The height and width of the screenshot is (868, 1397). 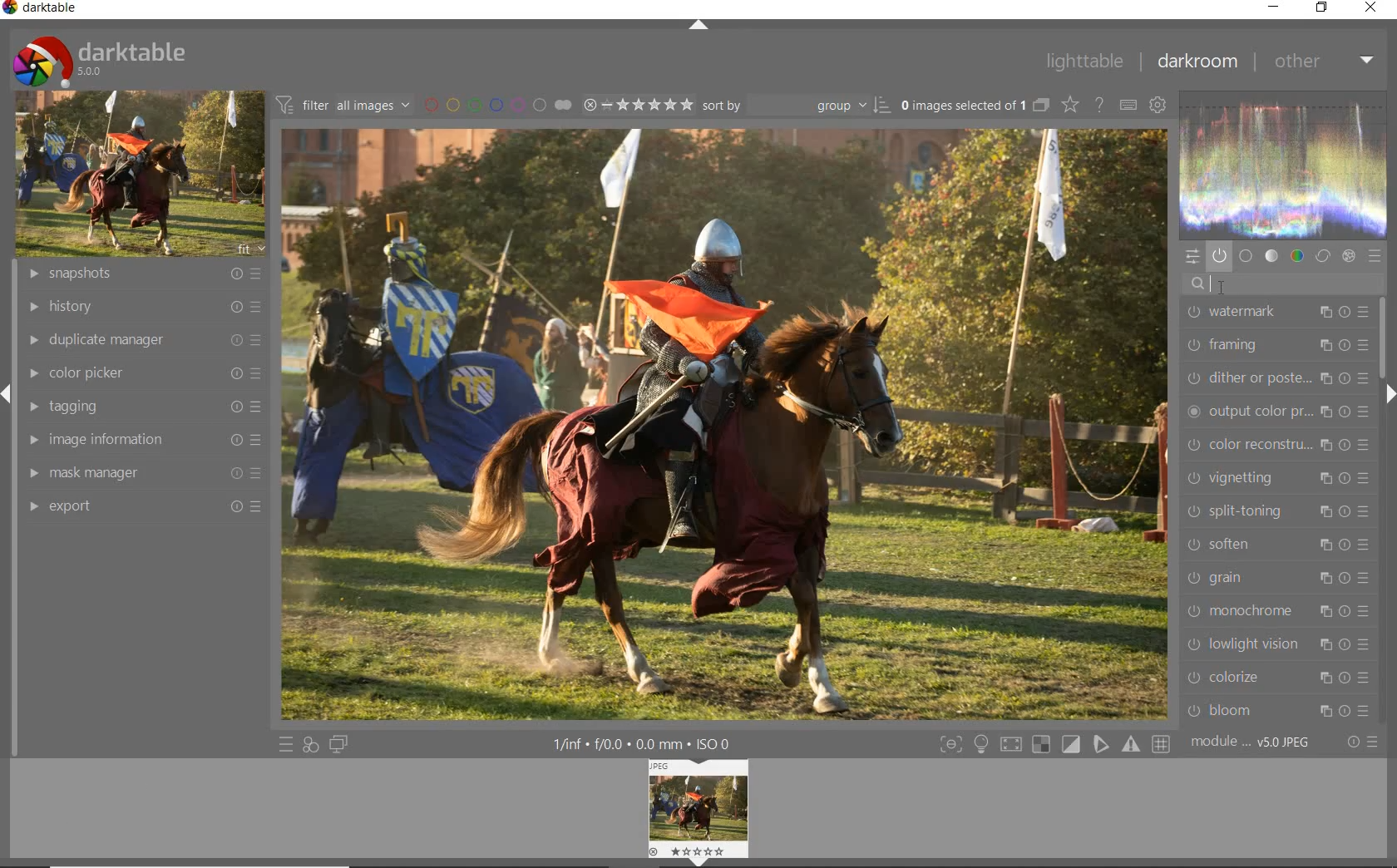 What do you see at coordinates (698, 26) in the screenshot?
I see `expand/collapse` at bounding box center [698, 26].